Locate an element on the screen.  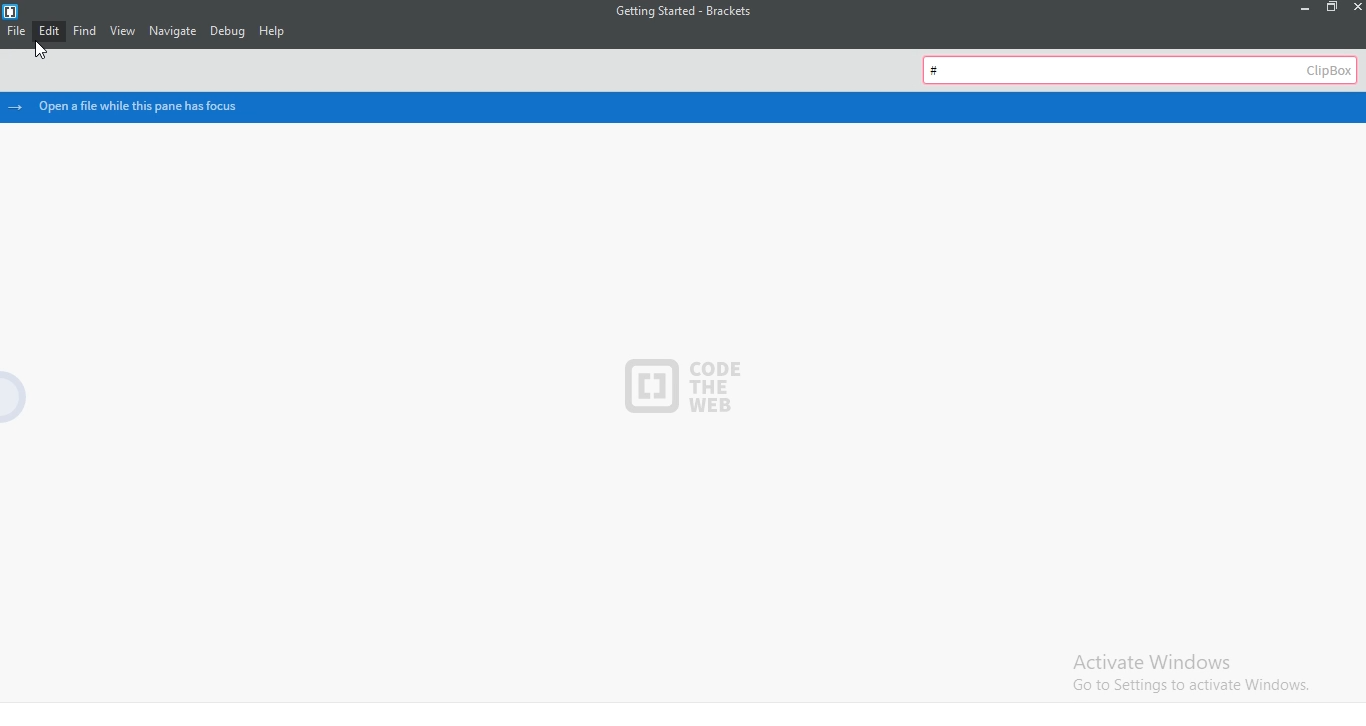
Edit is located at coordinates (51, 32).